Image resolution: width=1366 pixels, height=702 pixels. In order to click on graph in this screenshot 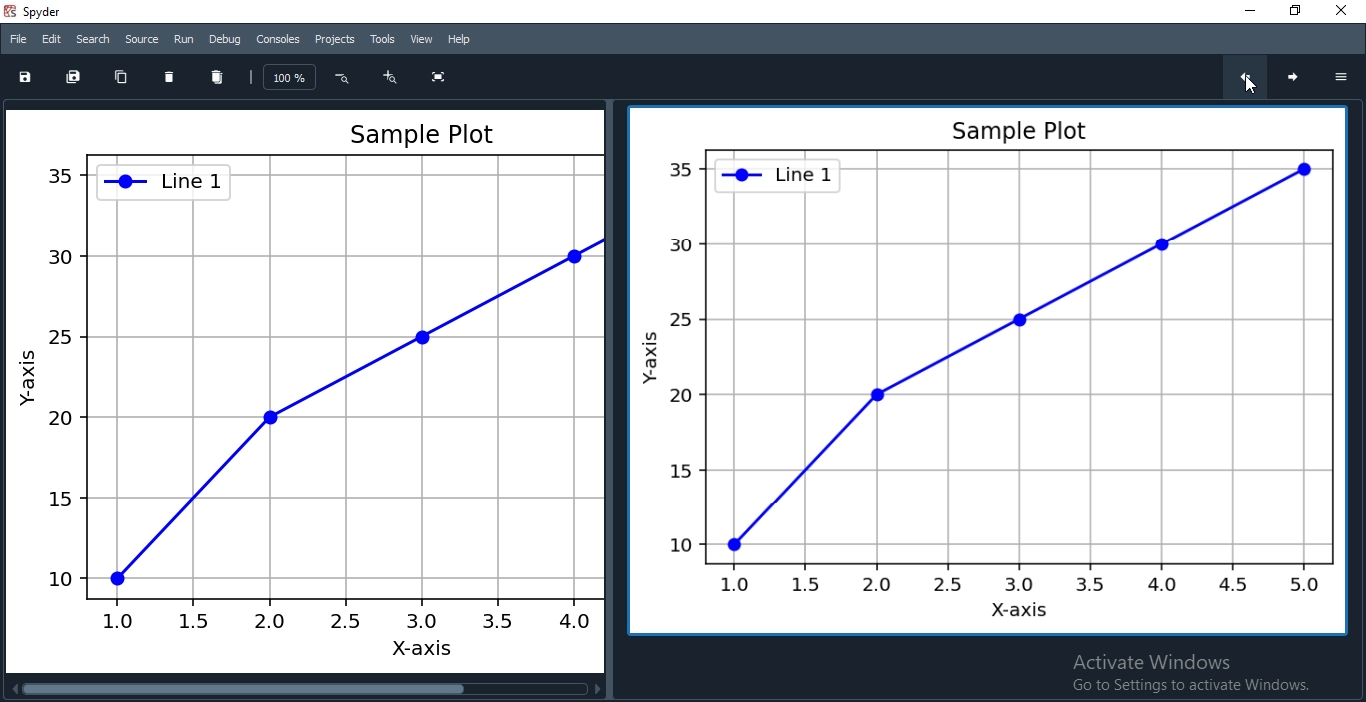, I will do `click(988, 374)`.